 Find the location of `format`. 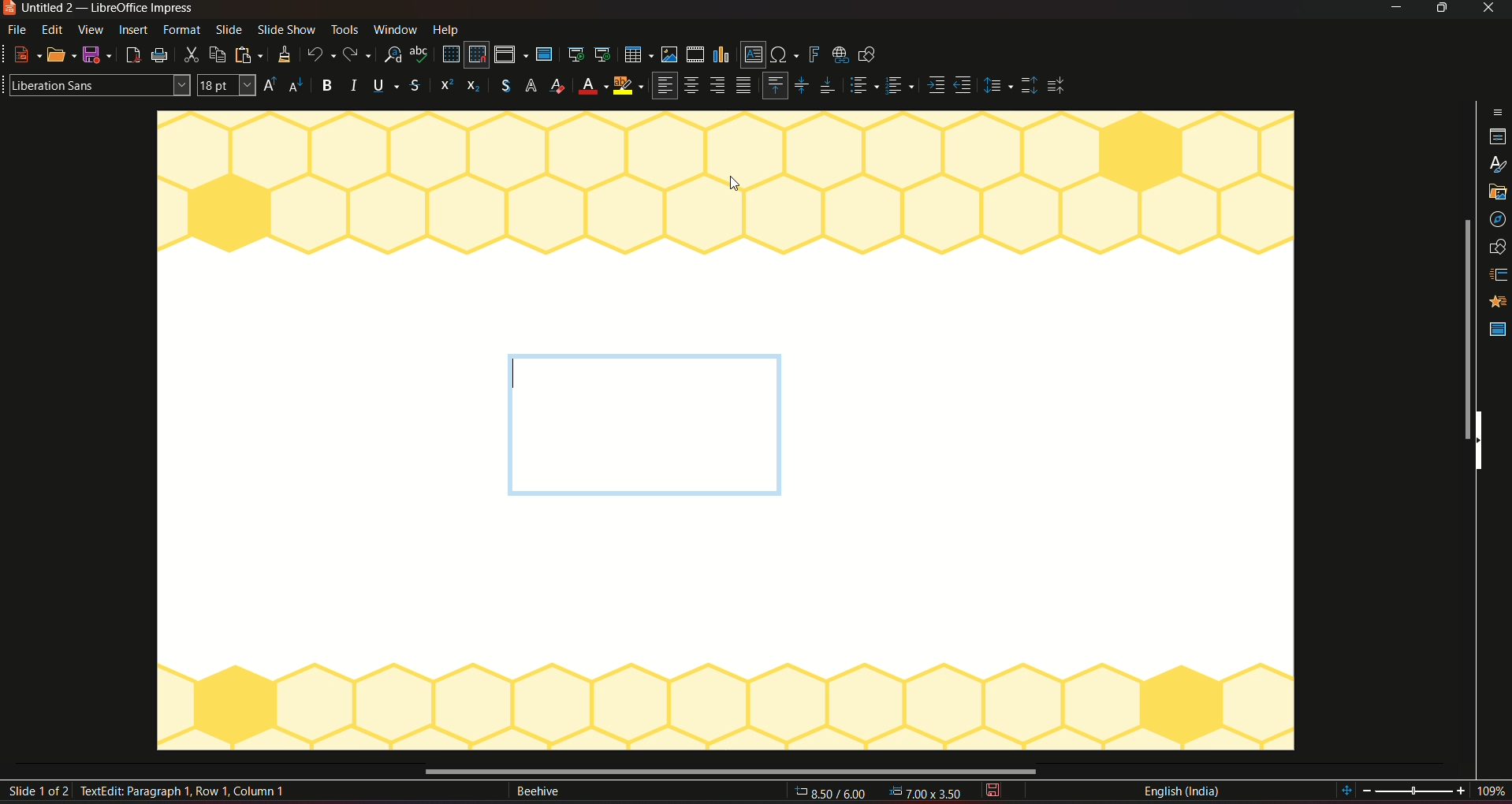

format is located at coordinates (182, 30).